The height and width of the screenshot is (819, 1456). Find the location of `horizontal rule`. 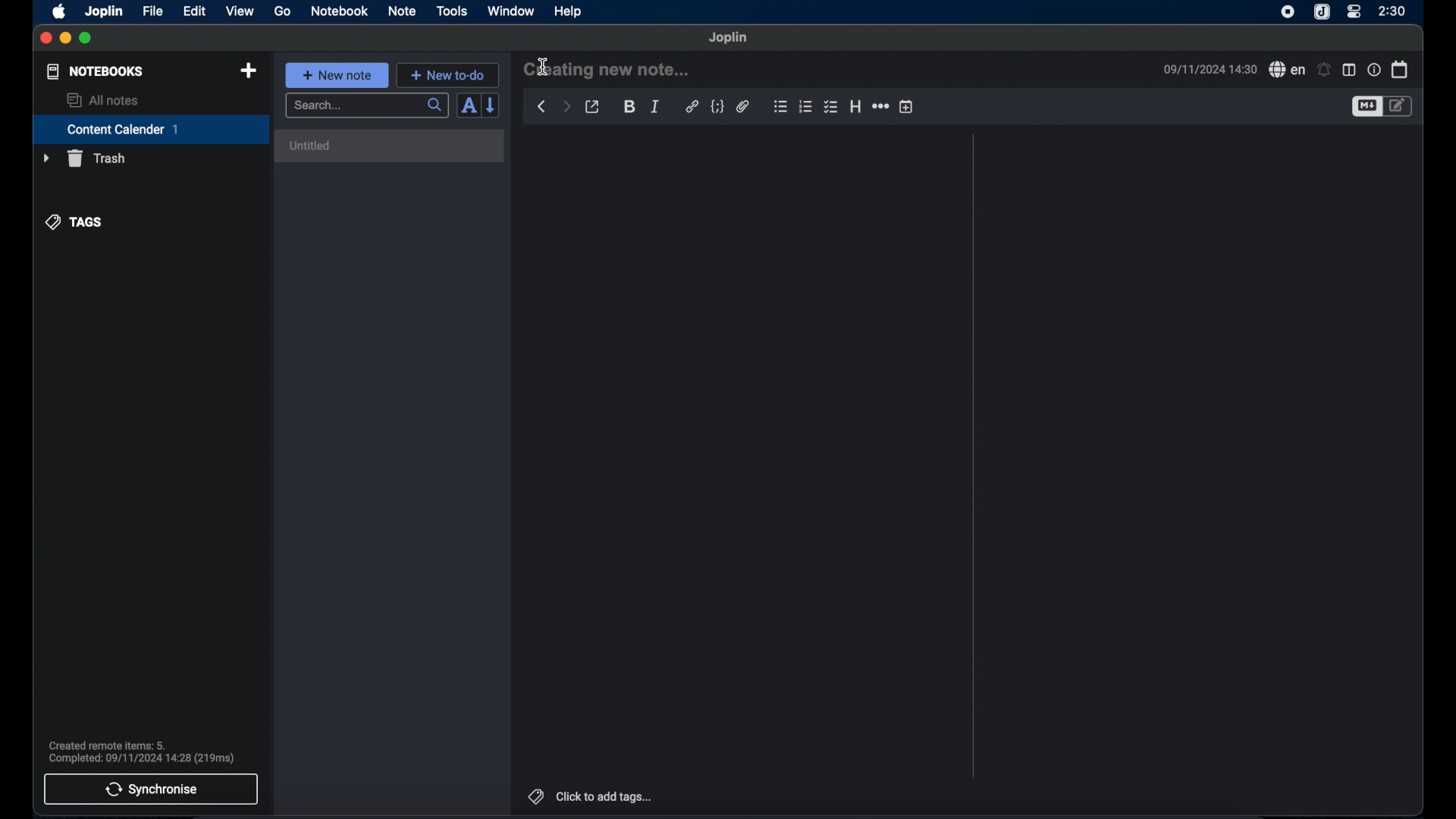

horizontal rule is located at coordinates (882, 106).